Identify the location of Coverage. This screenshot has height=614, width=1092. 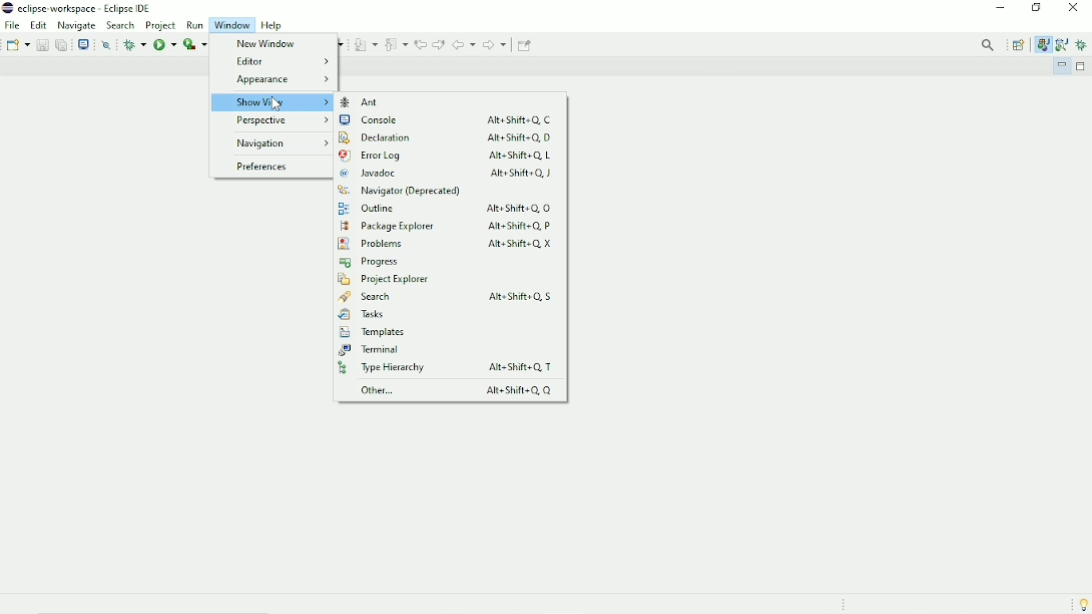
(194, 44).